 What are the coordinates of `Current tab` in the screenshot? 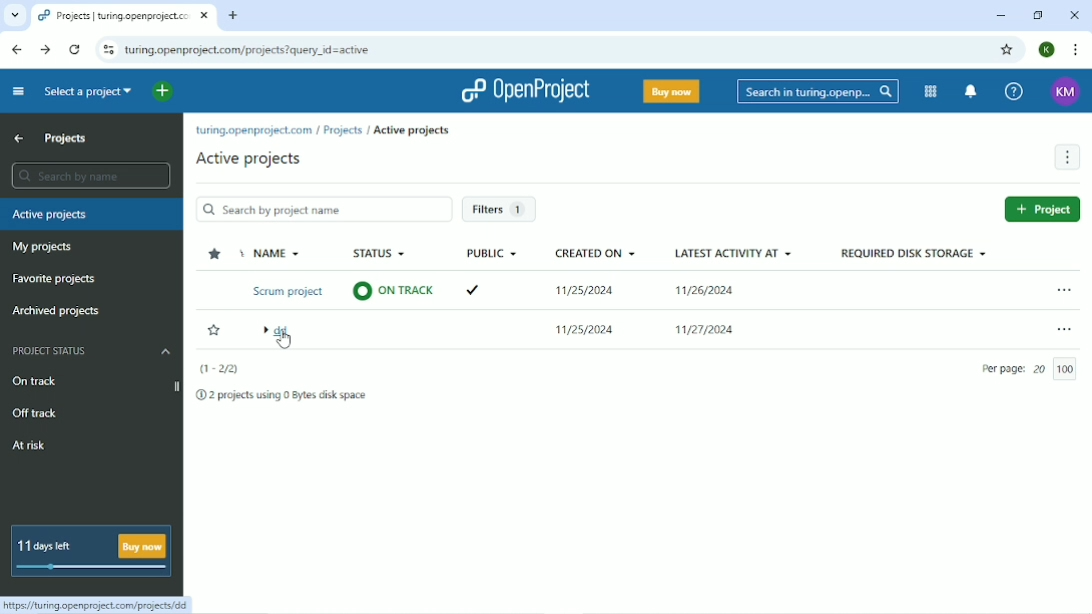 It's located at (125, 17).